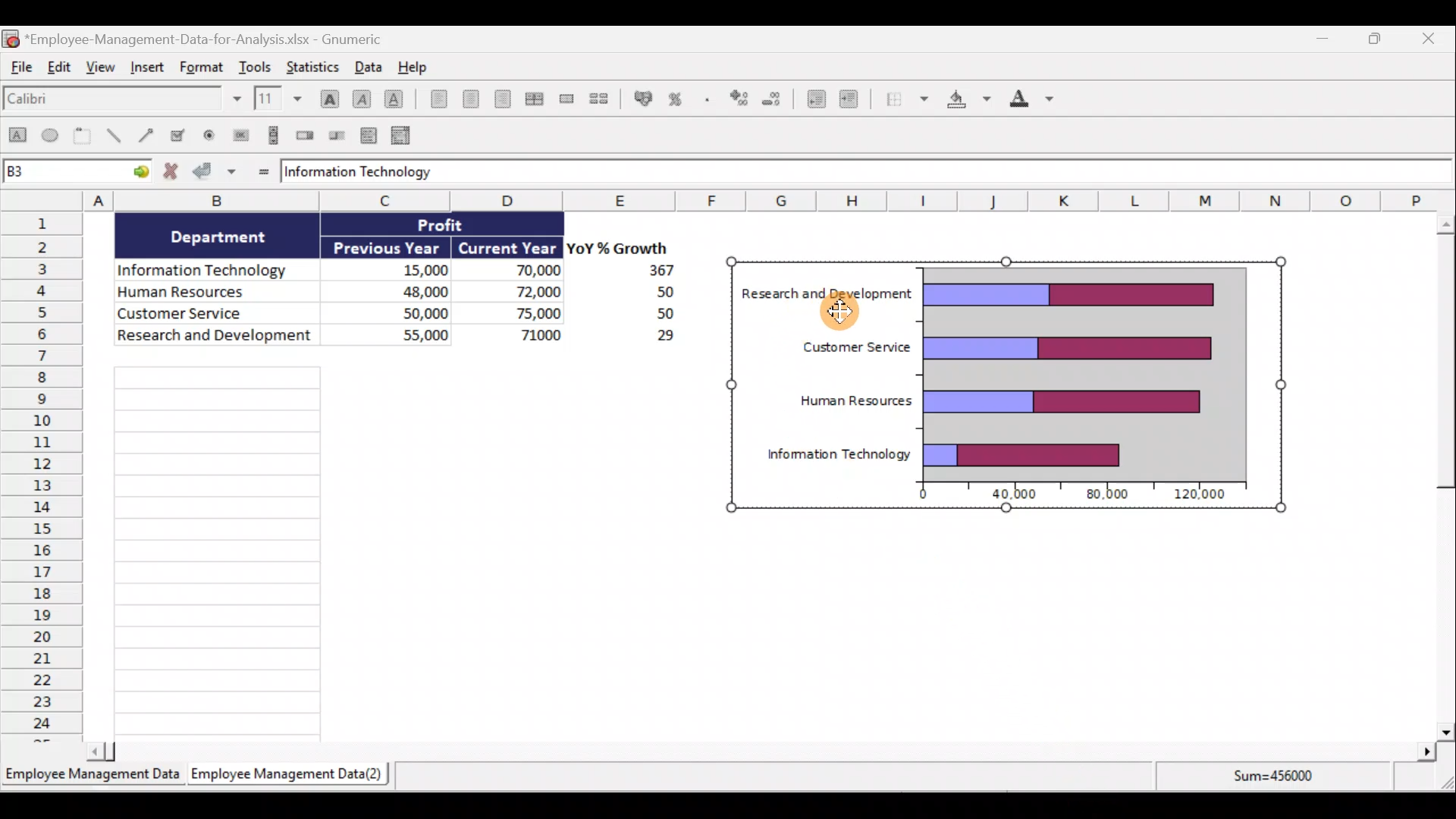 The height and width of the screenshot is (819, 1456). I want to click on Create a spin button, so click(306, 134).